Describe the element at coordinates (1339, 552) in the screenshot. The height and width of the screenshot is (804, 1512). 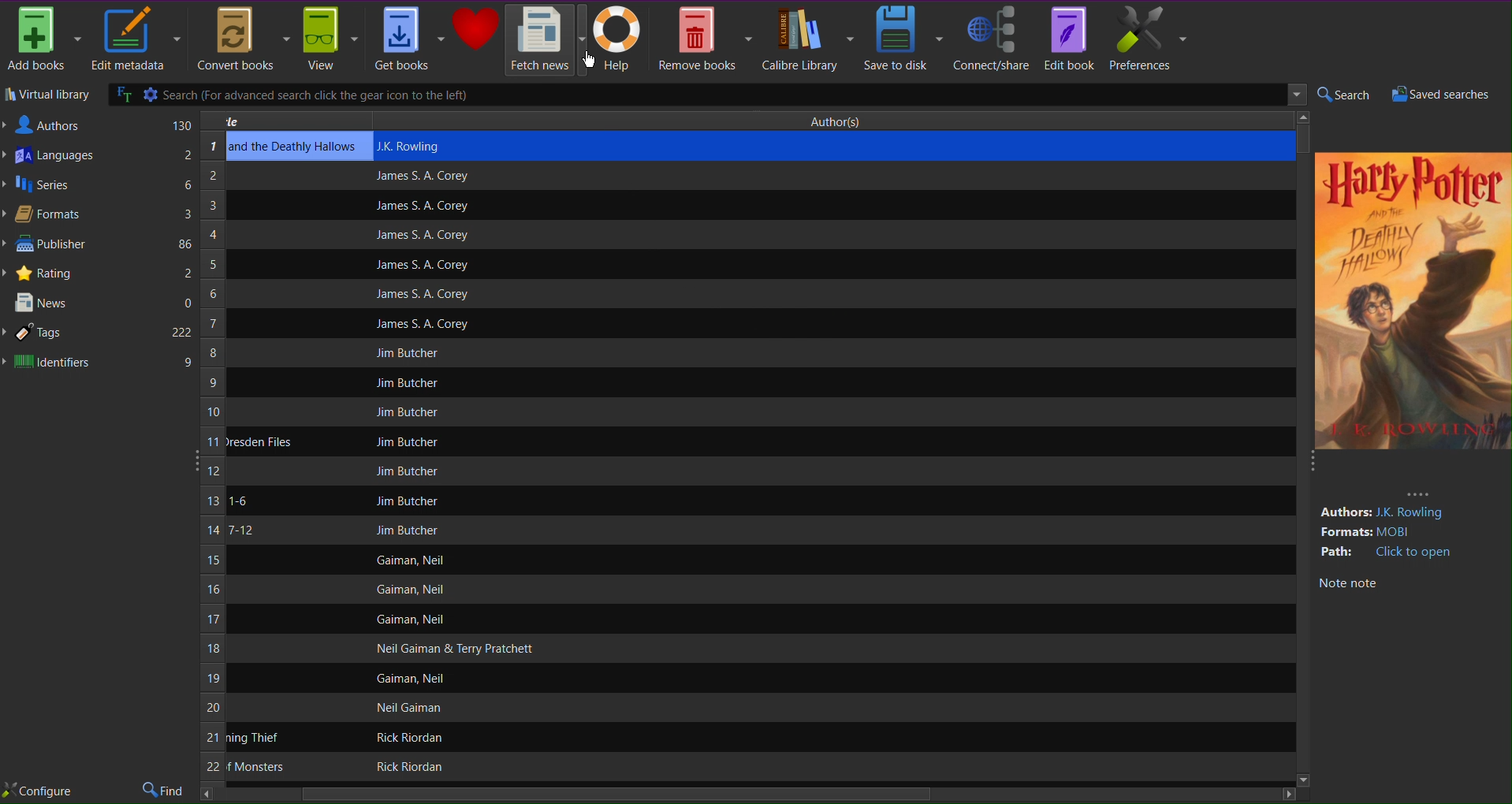
I see `Path:` at that location.